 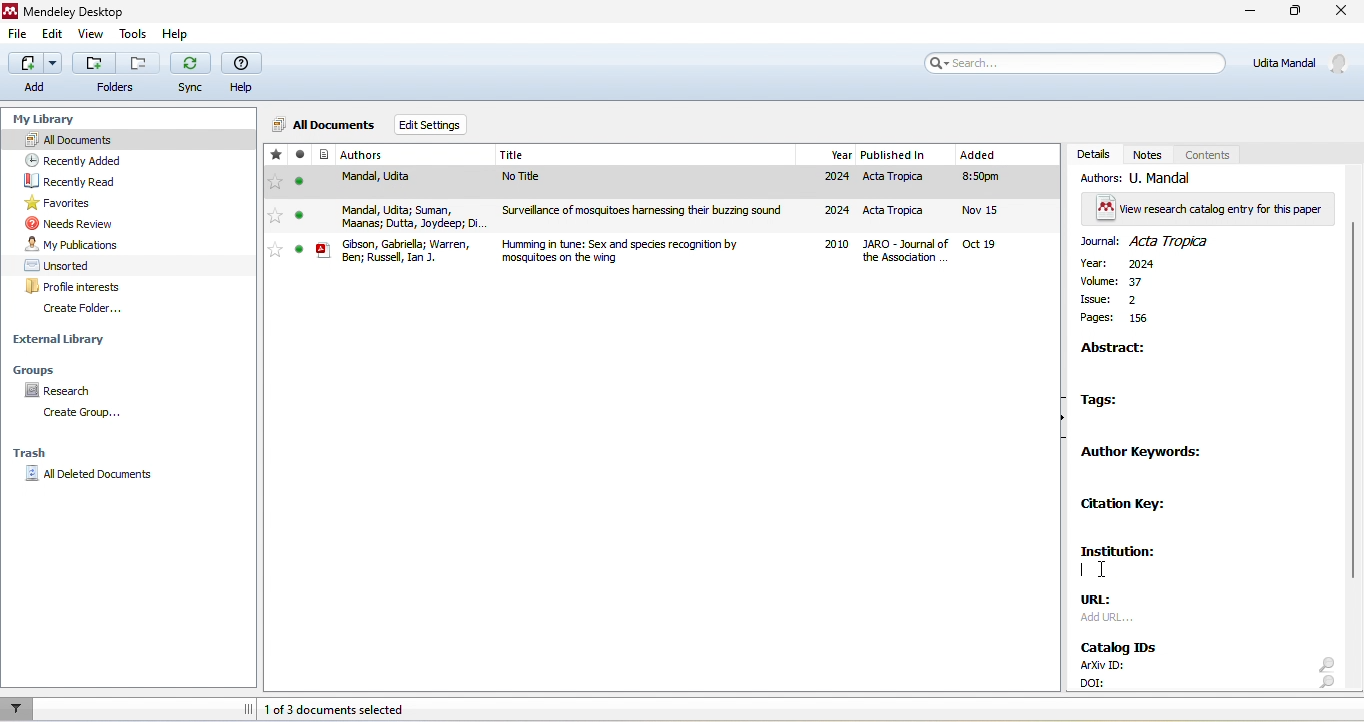 What do you see at coordinates (1253, 13) in the screenshot?
I see `minimize` at bounding box center [1253, 13].